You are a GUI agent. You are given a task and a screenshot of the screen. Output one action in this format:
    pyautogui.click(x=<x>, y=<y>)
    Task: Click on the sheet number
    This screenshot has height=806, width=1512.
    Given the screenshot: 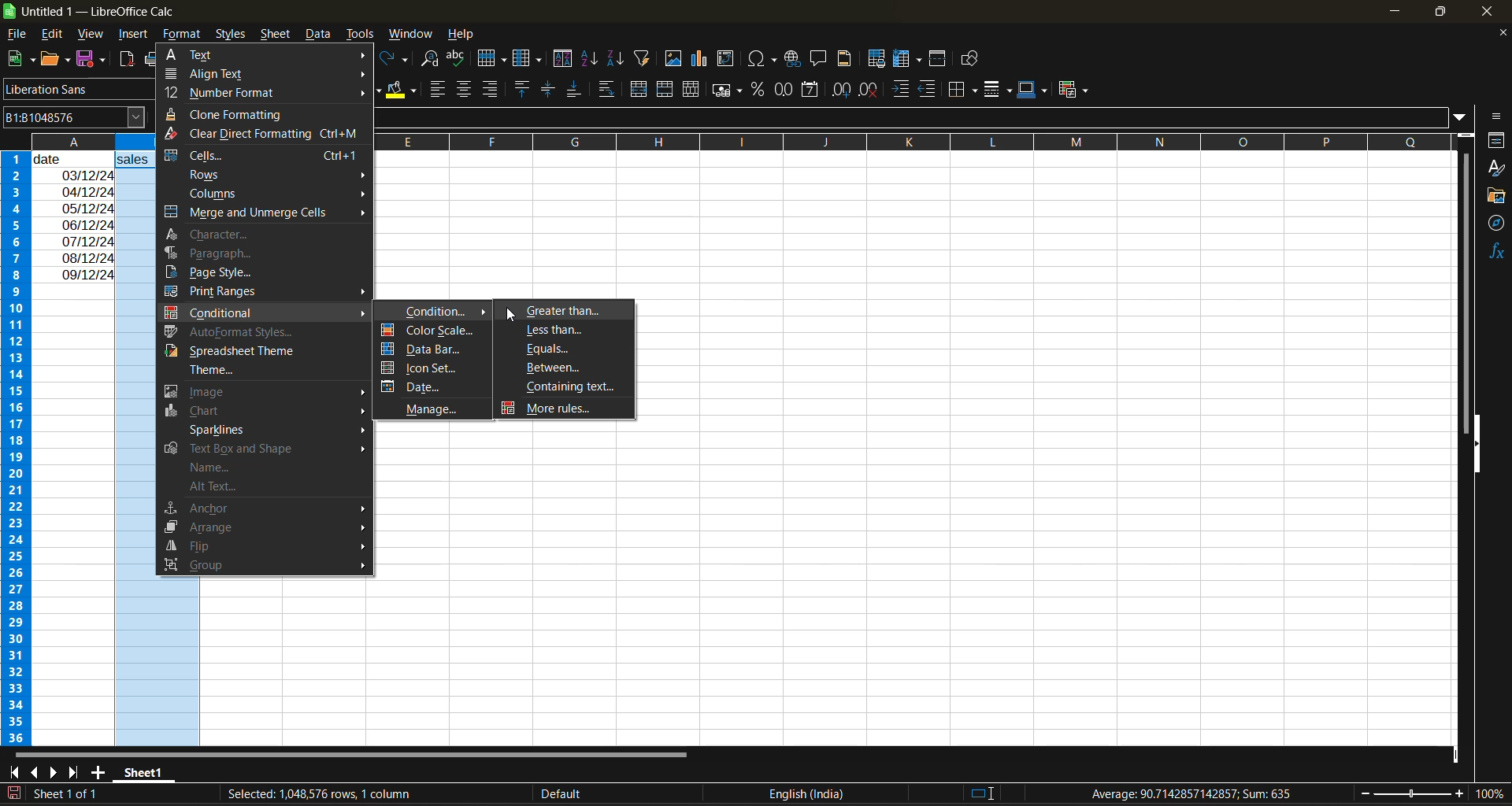 What is the action you would take?
    pyautogui.click(x=69, y=793)
    